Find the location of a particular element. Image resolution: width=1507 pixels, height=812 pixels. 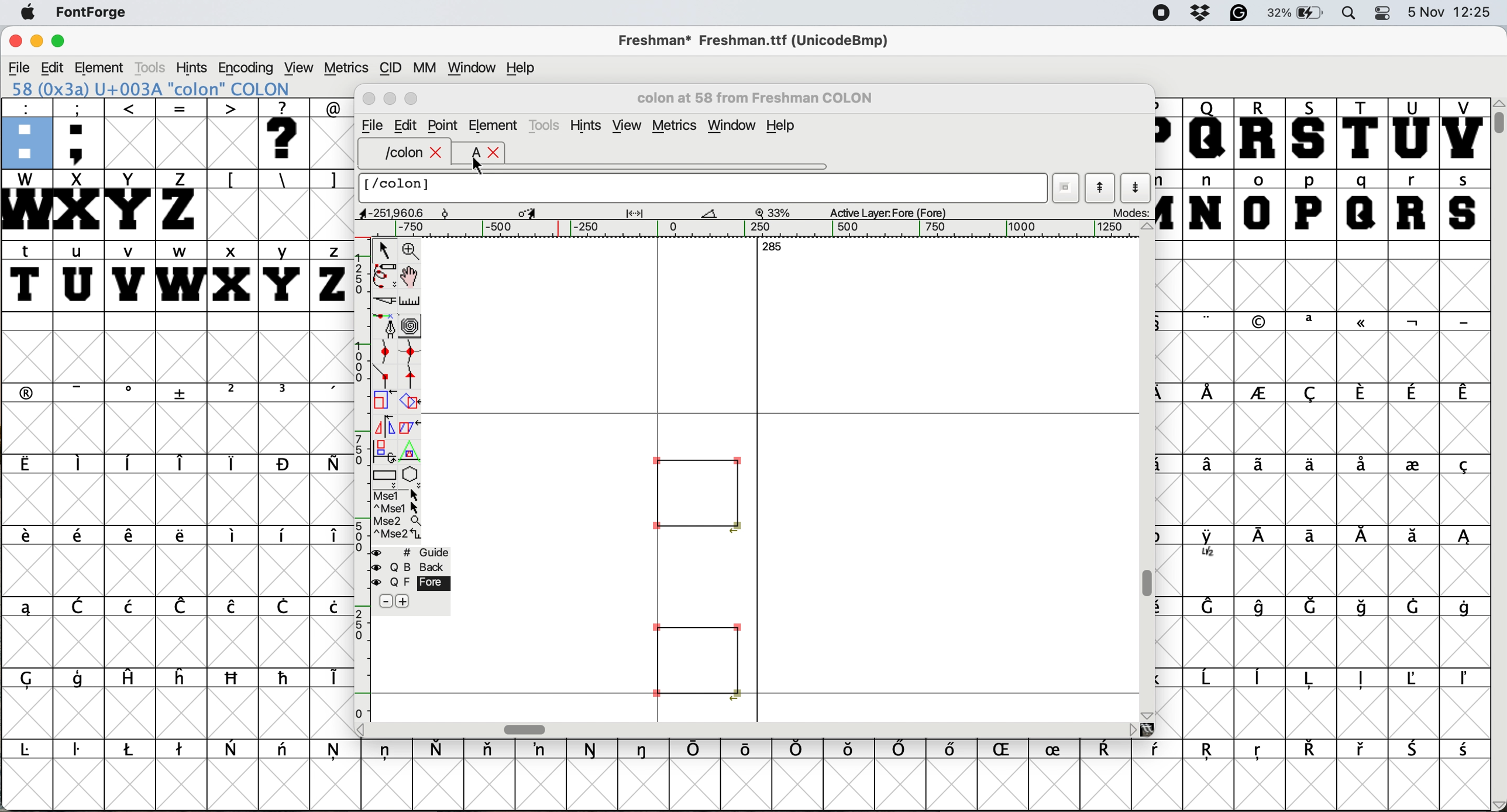

add a point and drag out it corners is located at coordinates (385, 326).